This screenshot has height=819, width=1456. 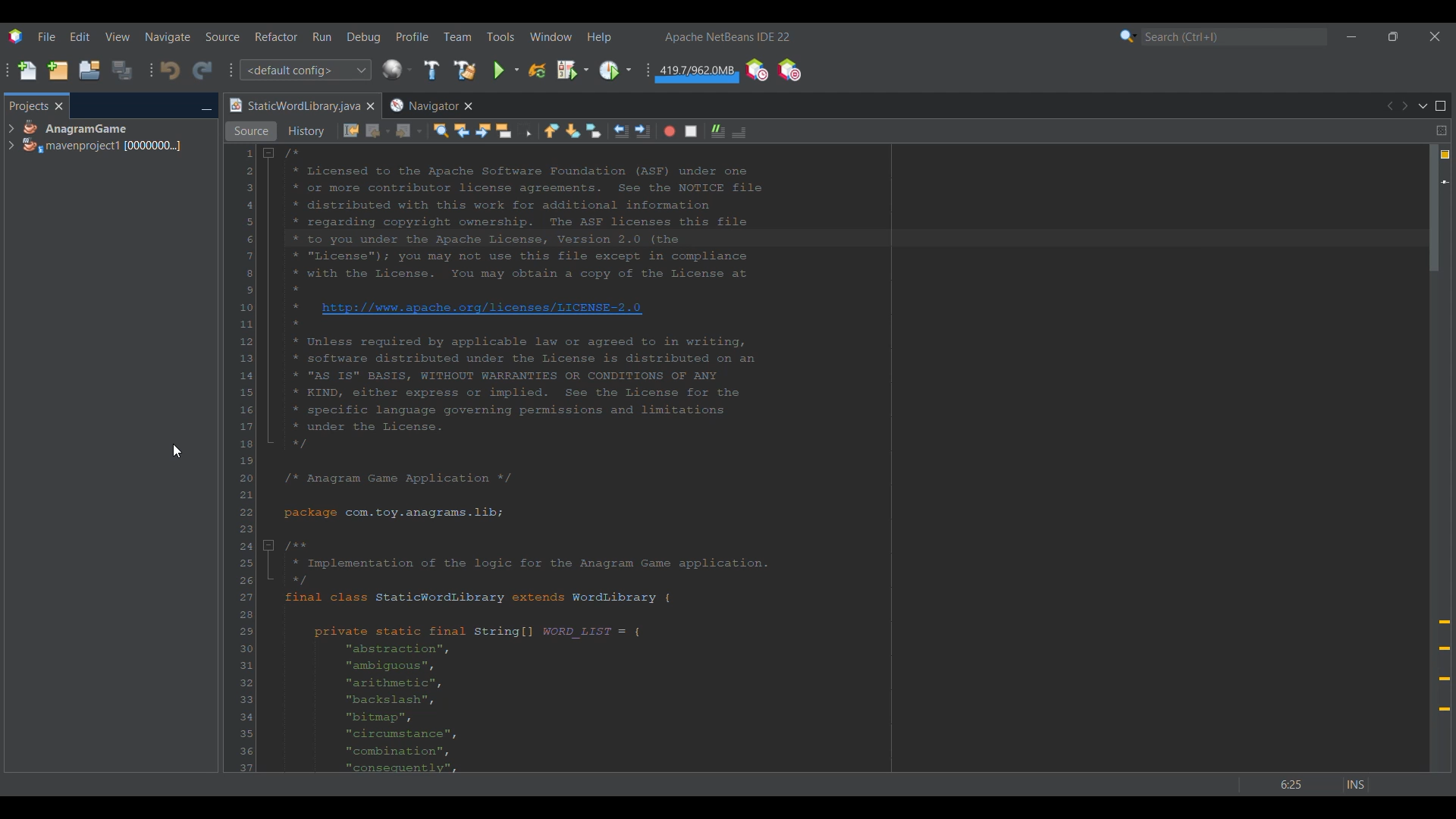 I want to click on Current tab highlighted, so click(x=293, y=106).